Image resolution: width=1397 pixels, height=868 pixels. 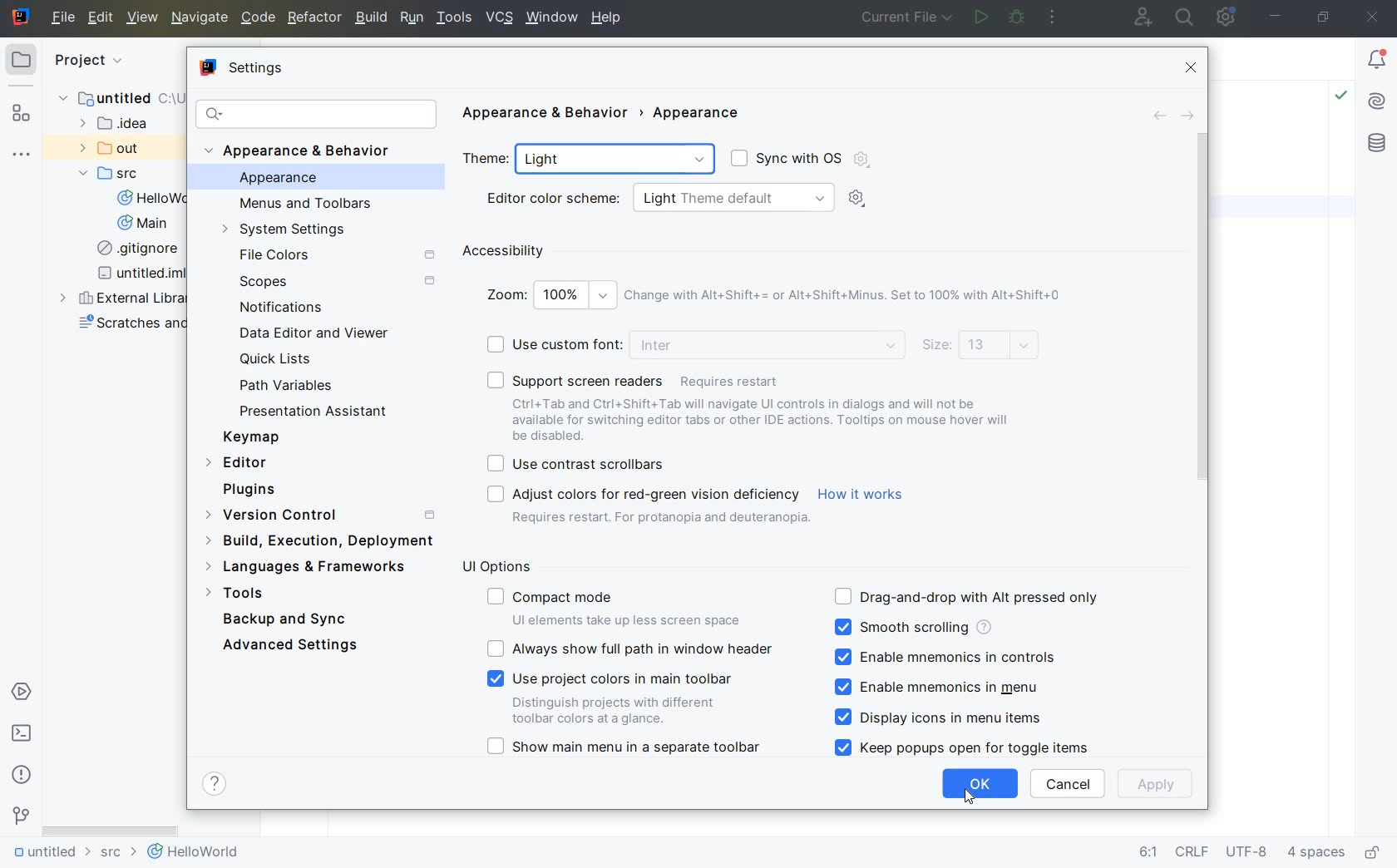 I want to click on APPEARANCE(selected), so click(x=324, y=179).